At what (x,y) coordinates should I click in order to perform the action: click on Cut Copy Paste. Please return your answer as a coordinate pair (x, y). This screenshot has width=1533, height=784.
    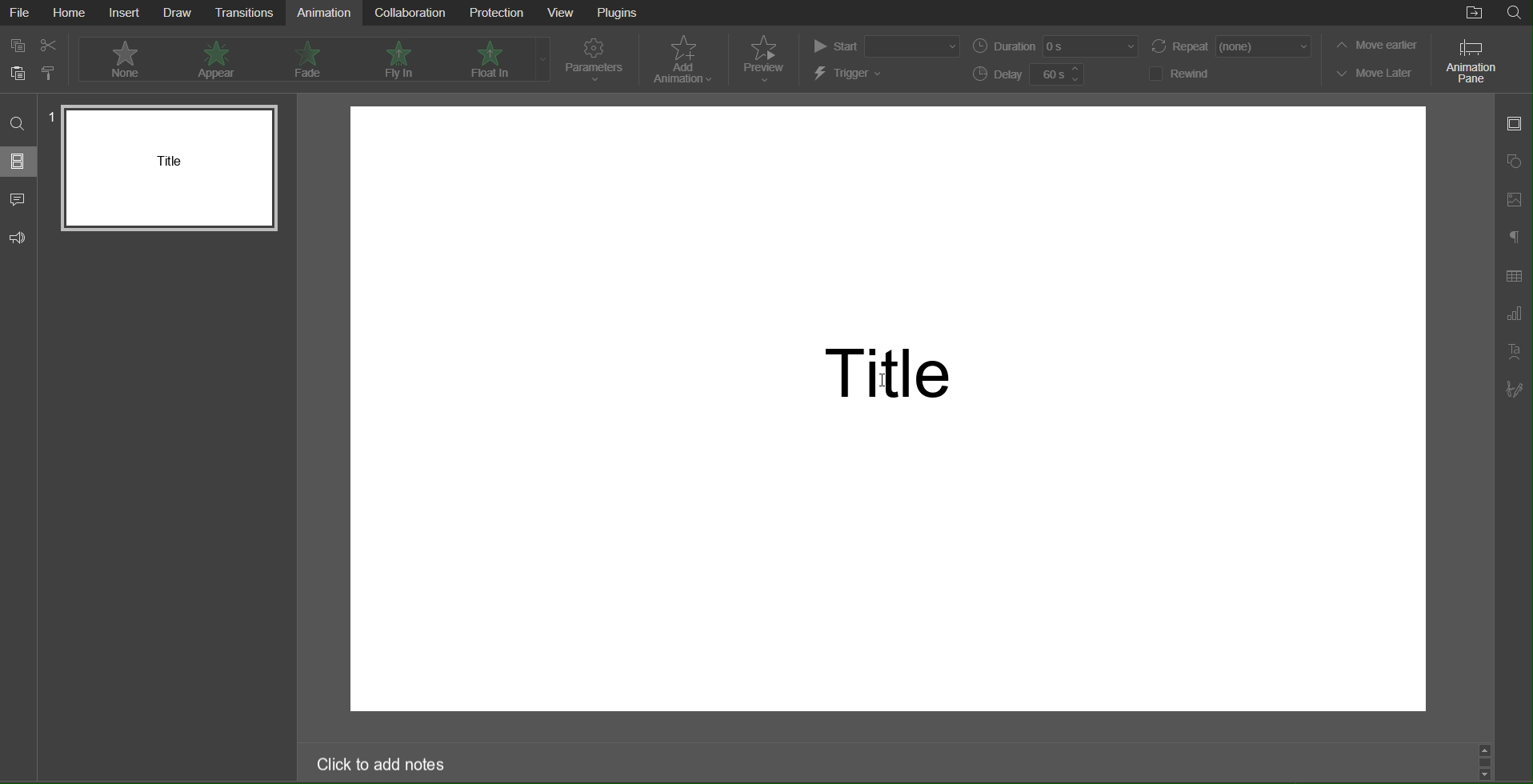
    Looking at the image, I should click on (30, 61).